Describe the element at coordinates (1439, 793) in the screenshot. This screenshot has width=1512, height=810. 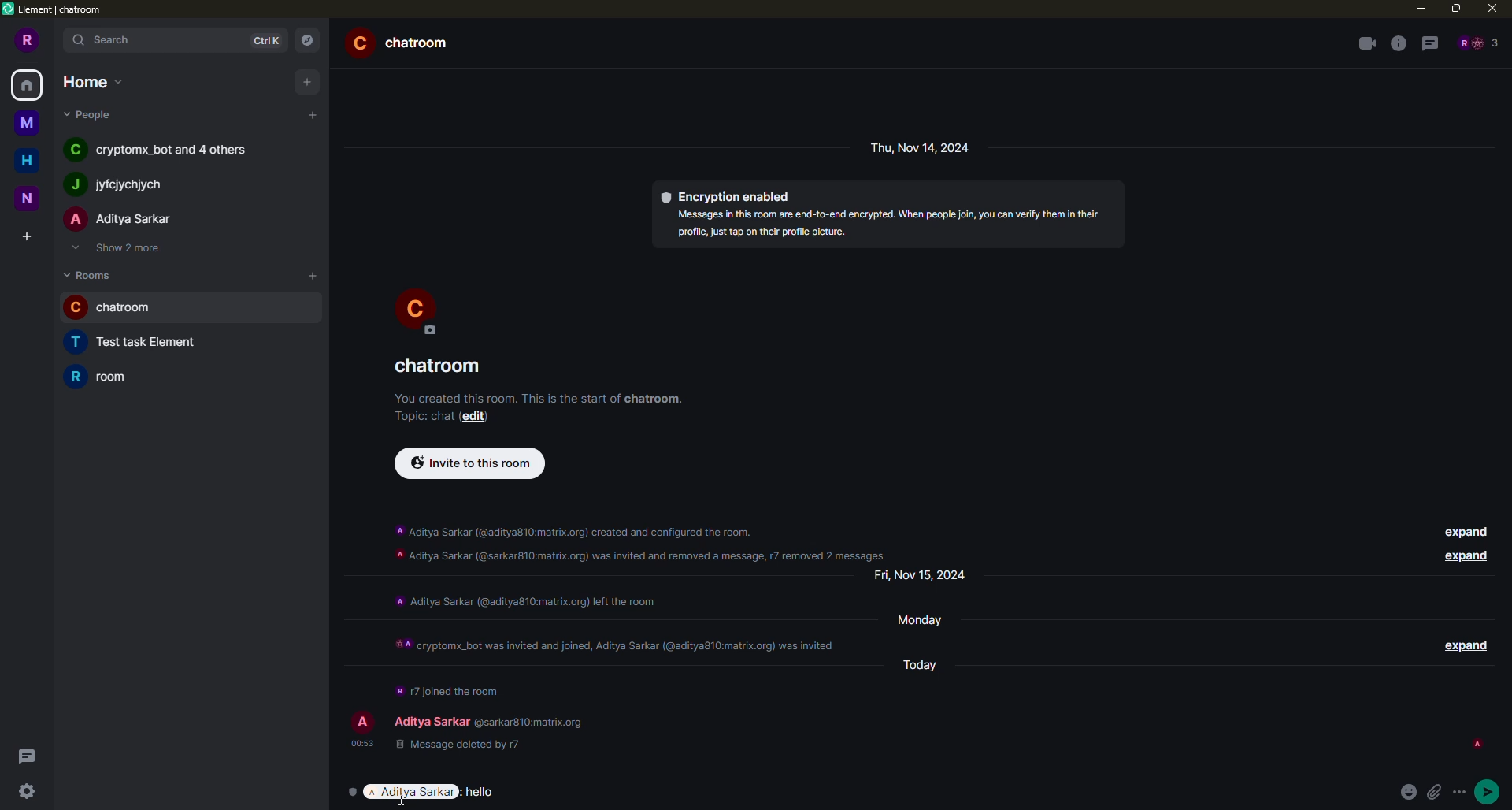
I see `attach` at that location.